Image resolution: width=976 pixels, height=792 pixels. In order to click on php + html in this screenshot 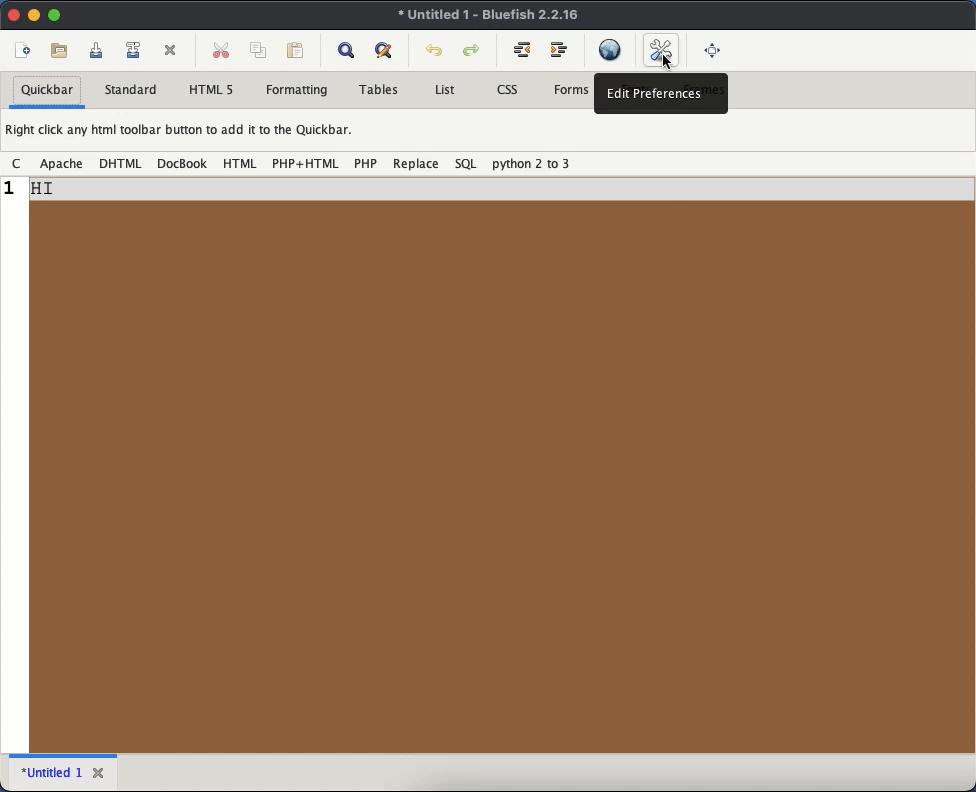, I will do `click(305, 163)`.